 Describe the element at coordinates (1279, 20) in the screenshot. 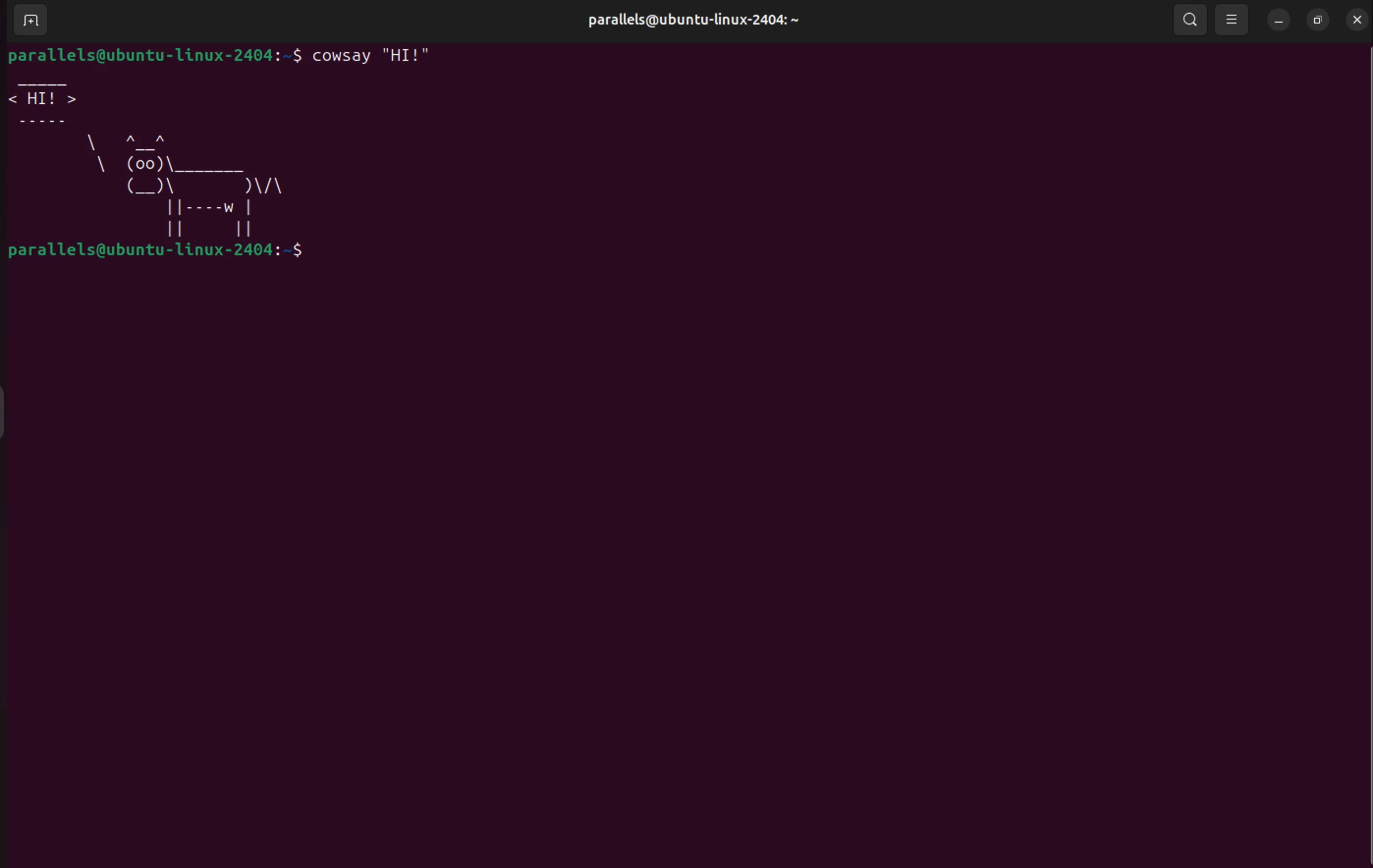

I see `minimize` at that location.